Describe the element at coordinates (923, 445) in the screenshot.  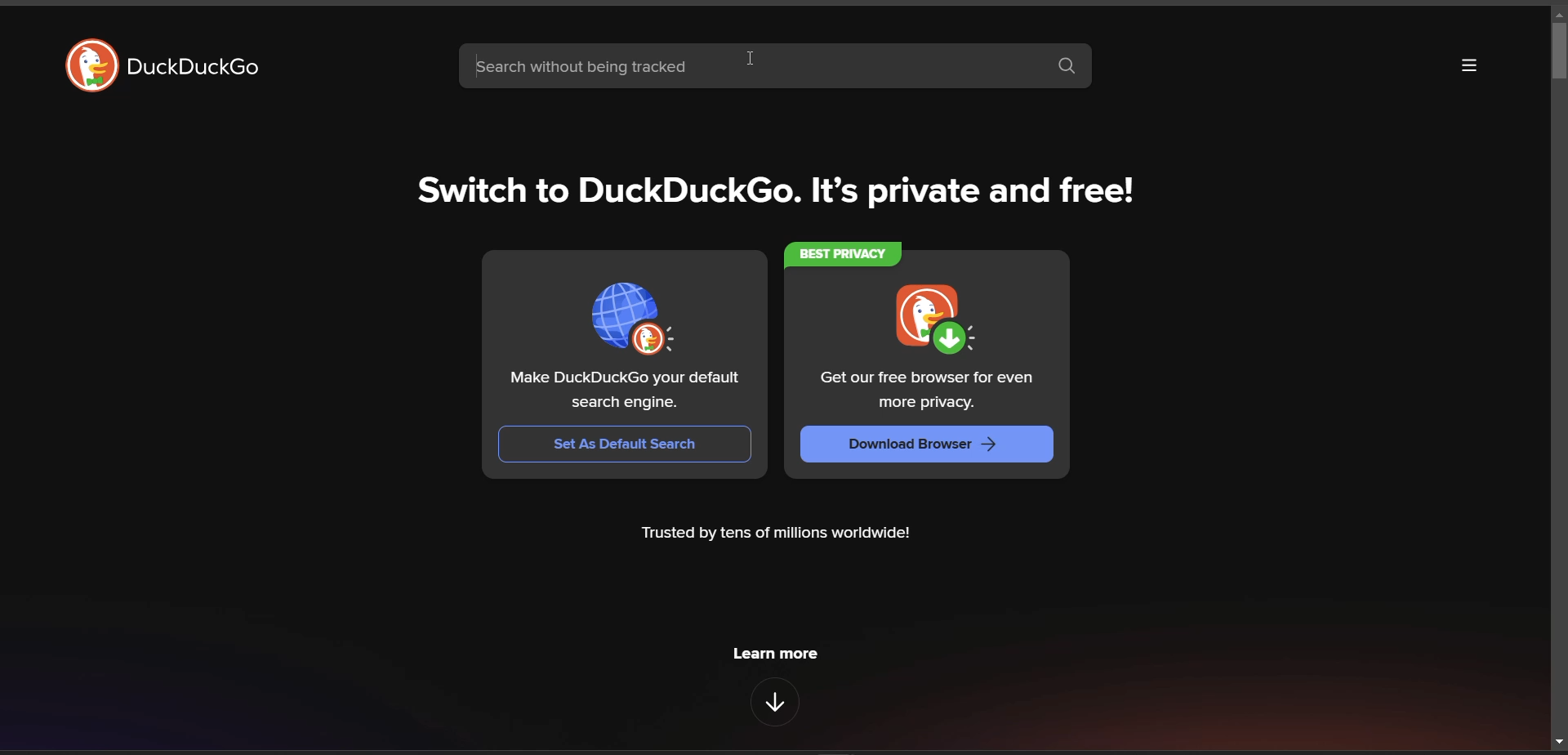
I see `Download Browser` at that location.